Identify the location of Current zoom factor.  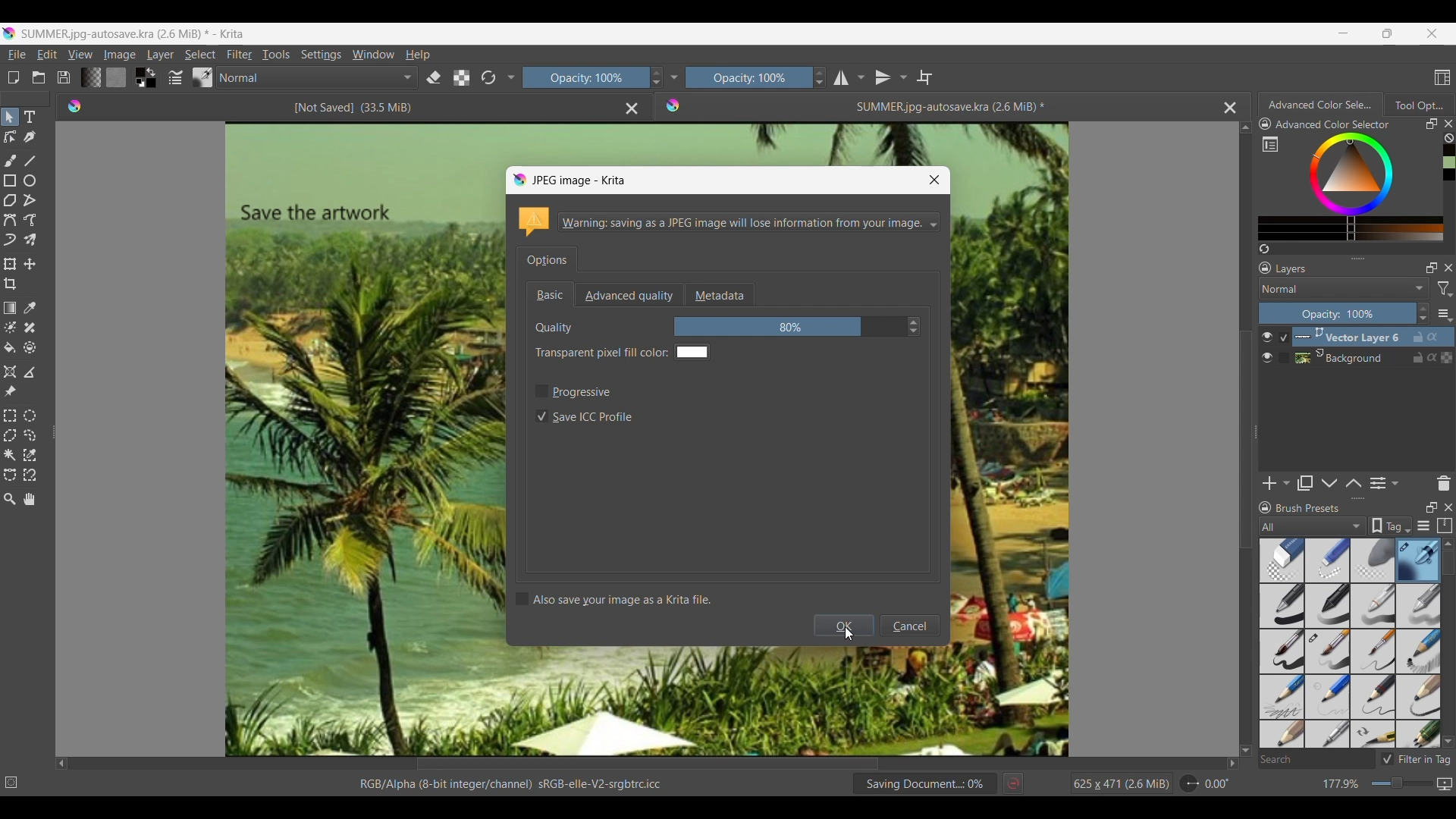
(1341, 784).